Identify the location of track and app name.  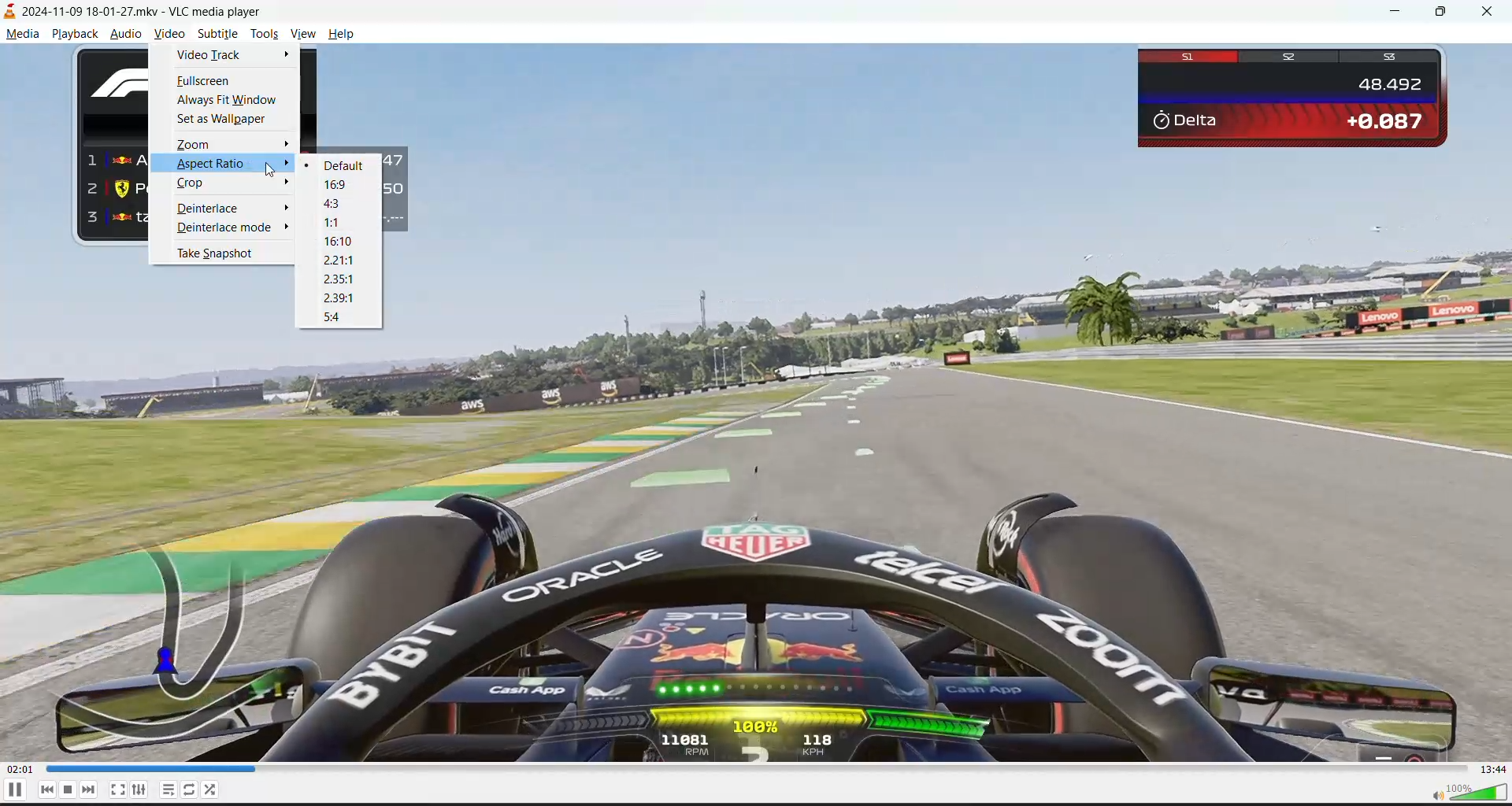
(139, 12).